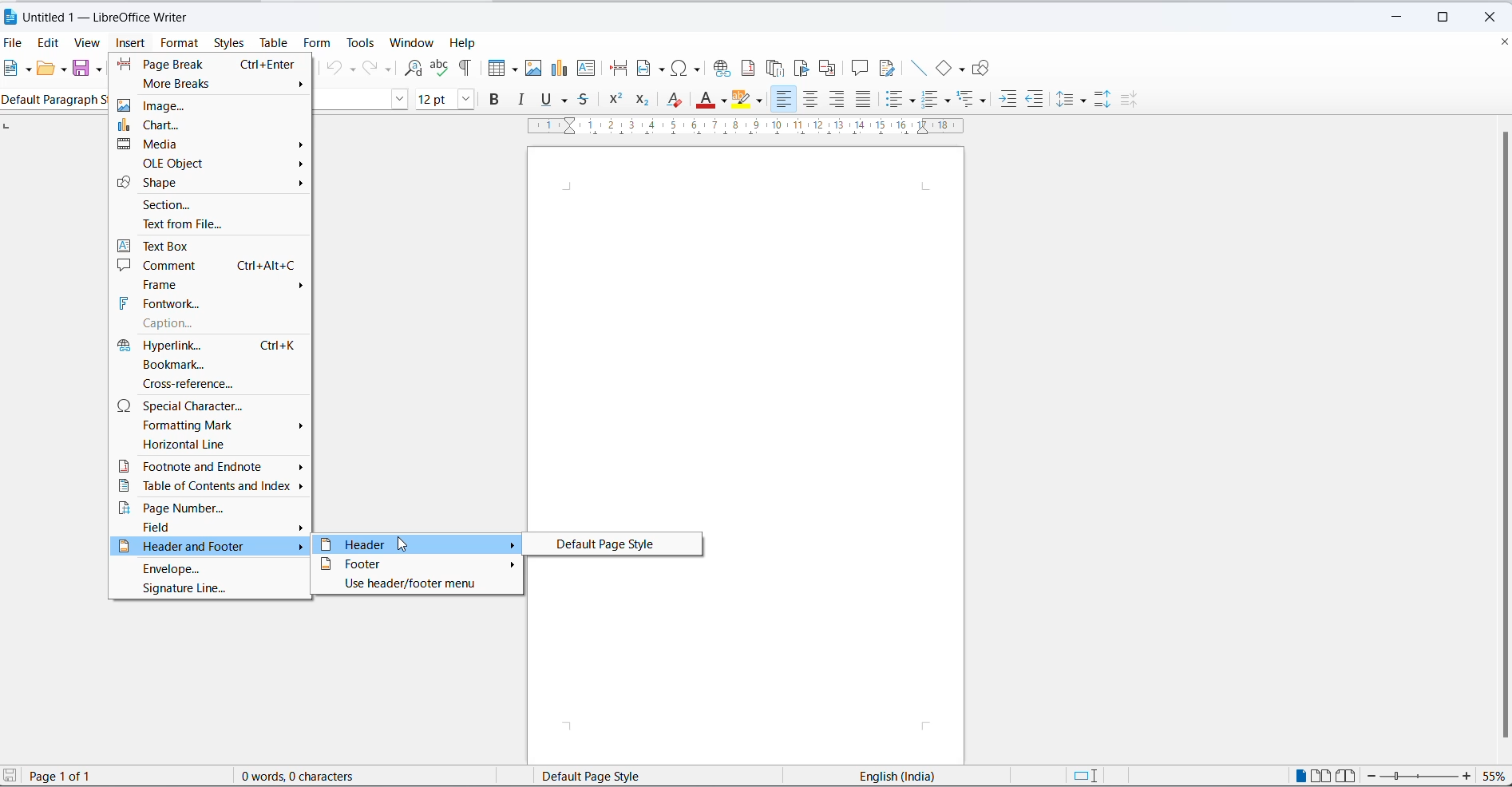  What do you see at coordinates (214, 185) in the screenshot?
I see `shape` at bounding box center [214, 185].